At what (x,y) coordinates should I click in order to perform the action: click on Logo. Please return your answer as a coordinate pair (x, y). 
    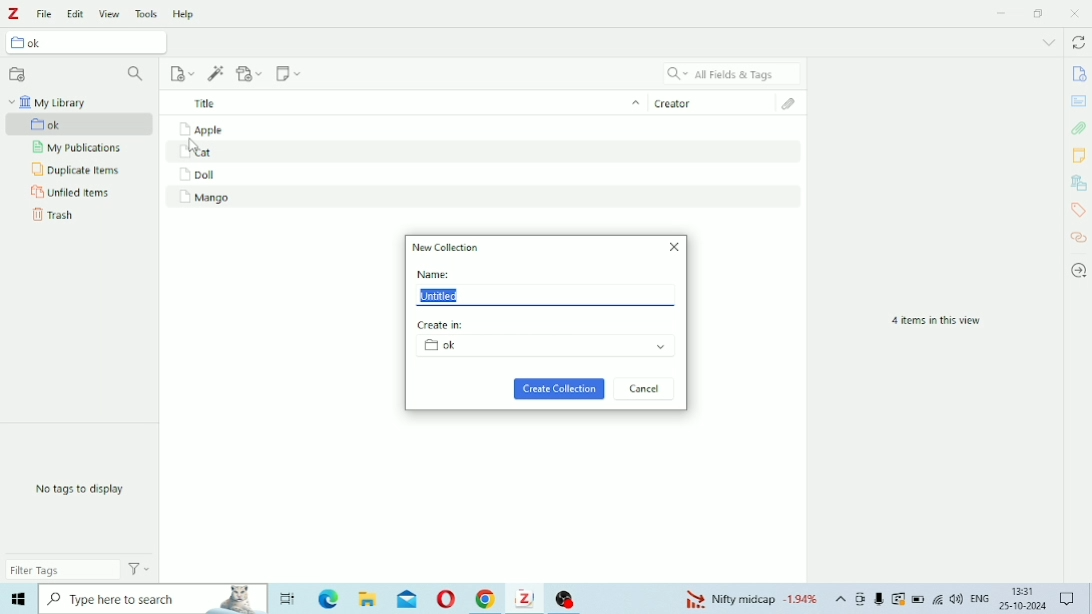
    Looking at the image, I should click on (12, 14).